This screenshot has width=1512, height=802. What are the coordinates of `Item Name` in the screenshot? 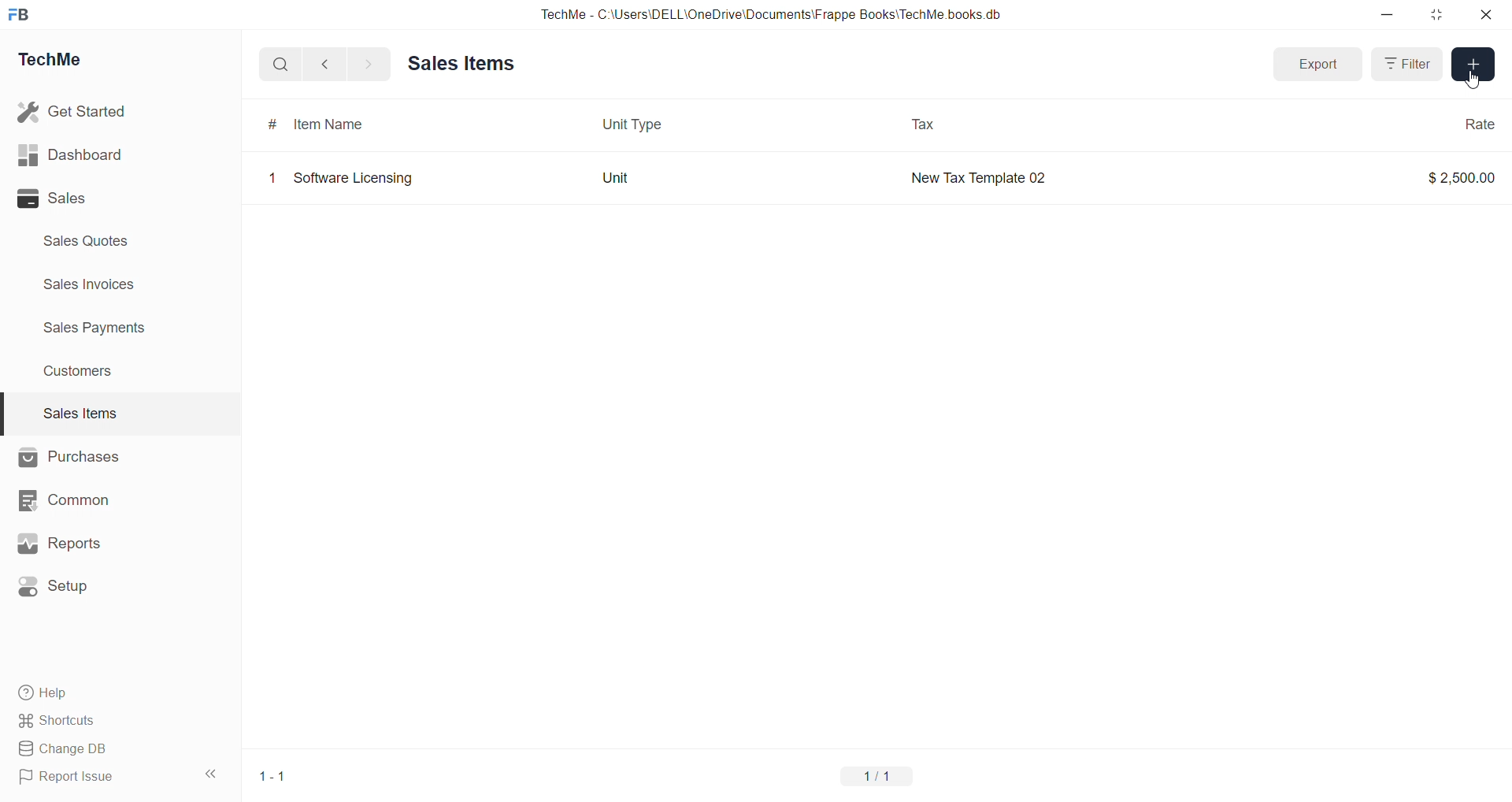 It's located at (326, 122).